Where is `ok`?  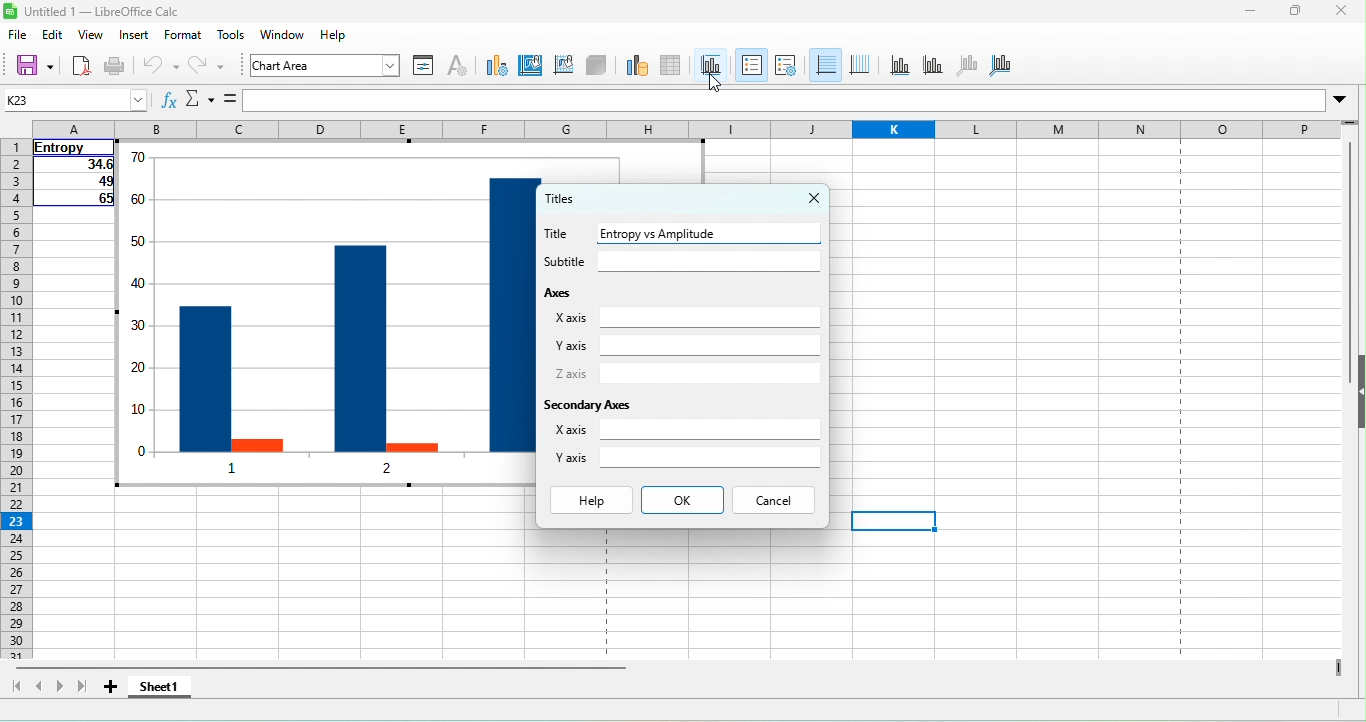 ok is located at coordinates (683, 499).